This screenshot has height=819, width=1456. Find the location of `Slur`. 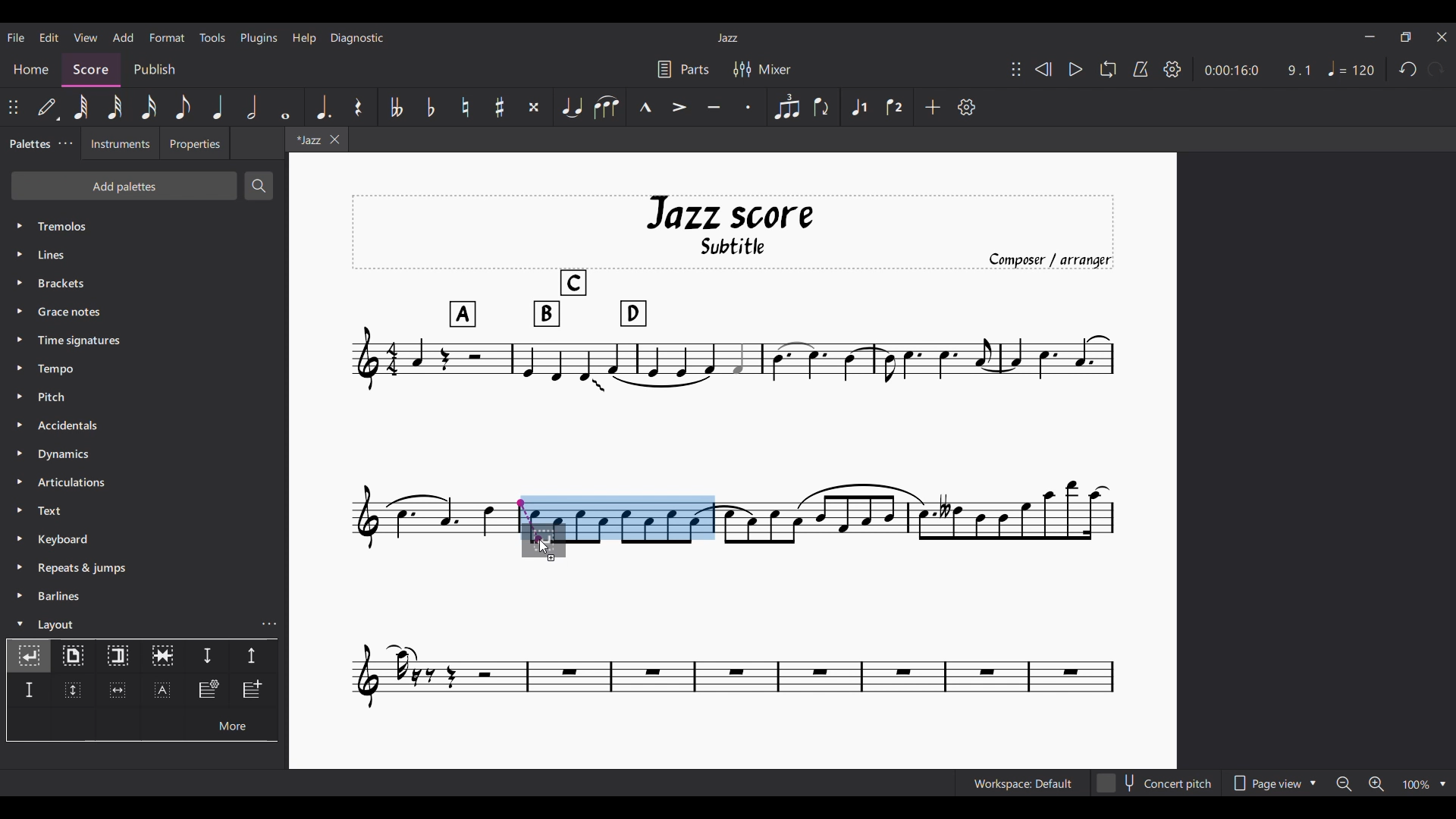

Slur is located at coordinates (606, 107).